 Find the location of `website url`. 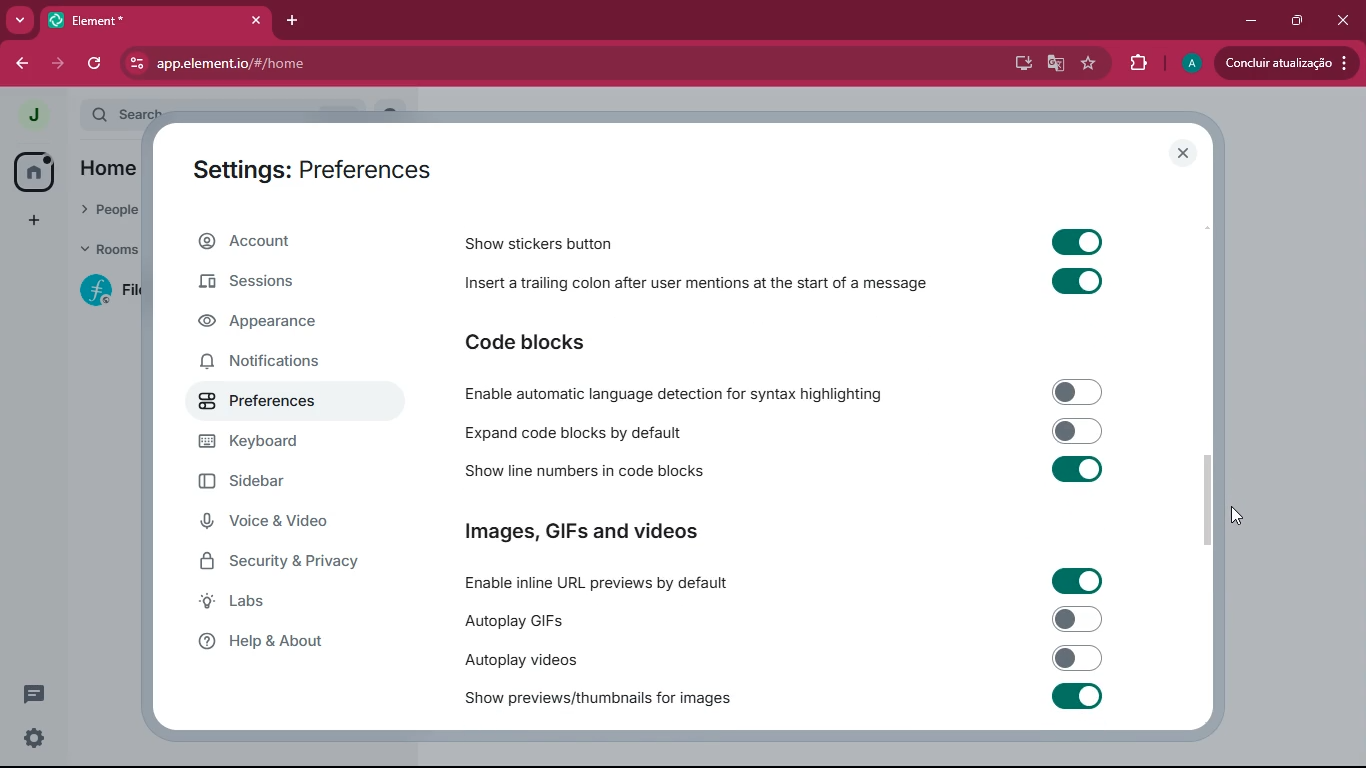

website url is located at coordinates (337, 65).